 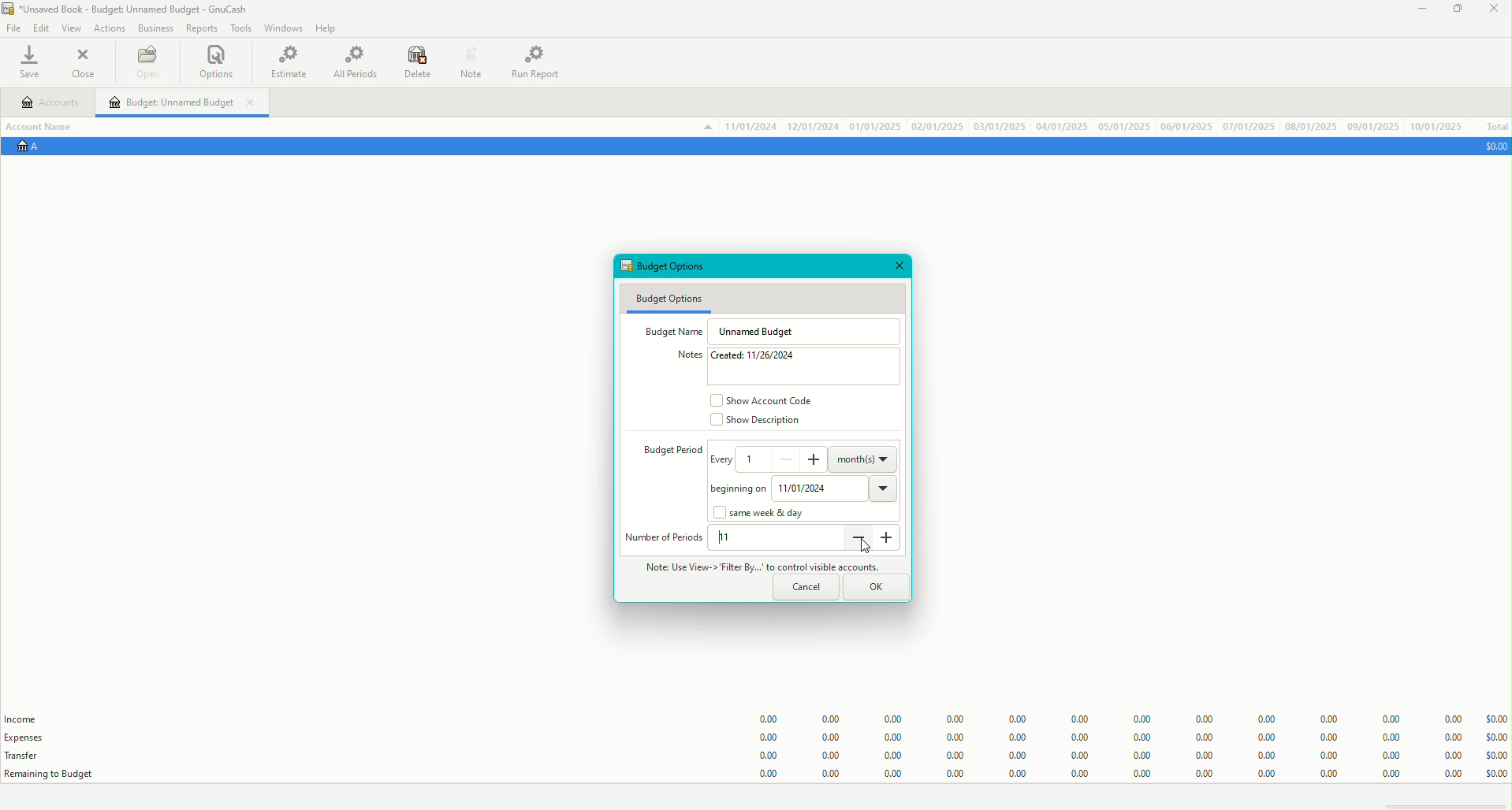 What do you see at coordinates (729, 538) in the screenshot?
I see `11` at bounding box center [729, 538].